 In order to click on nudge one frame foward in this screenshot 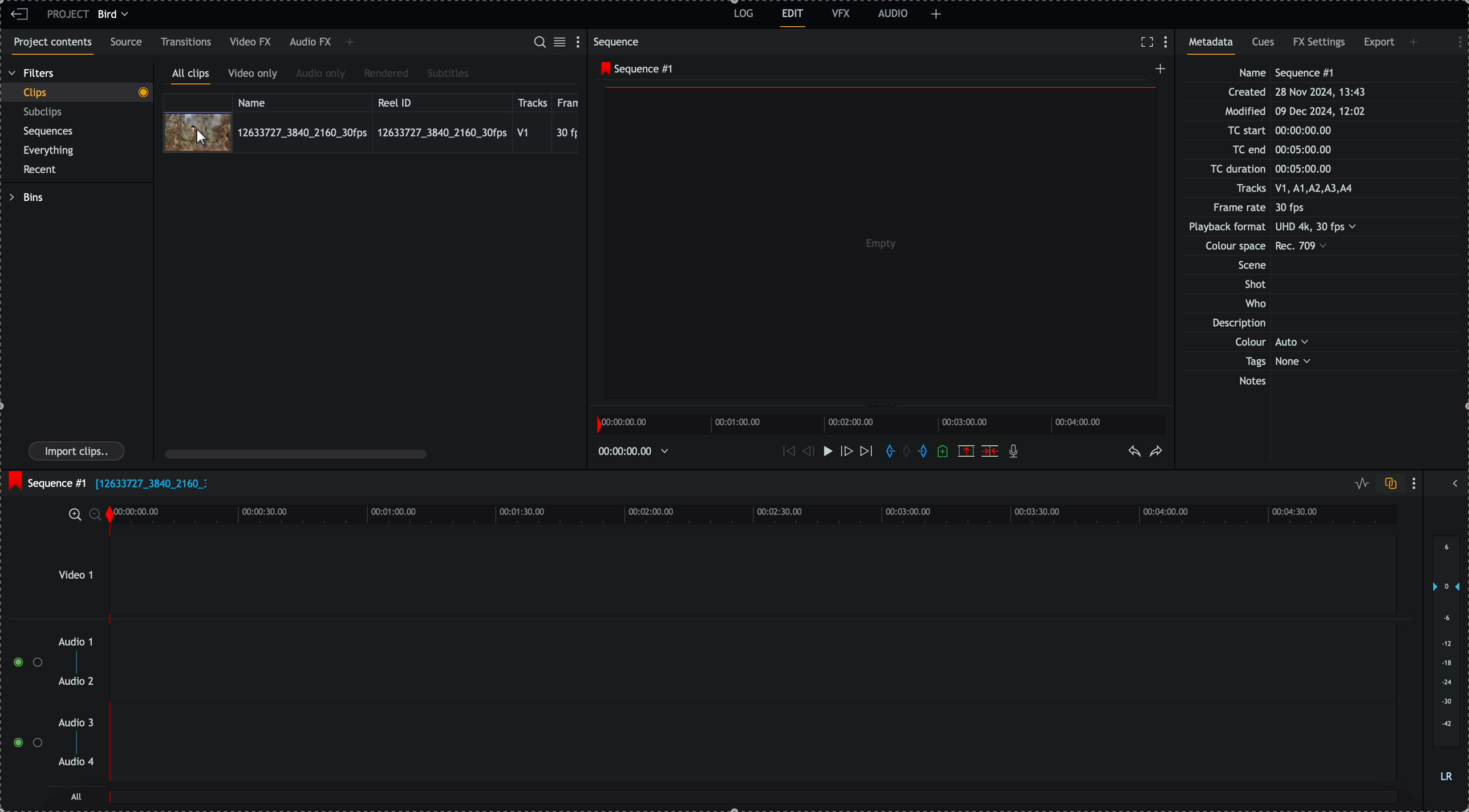, I will do `click(846, 452)`.